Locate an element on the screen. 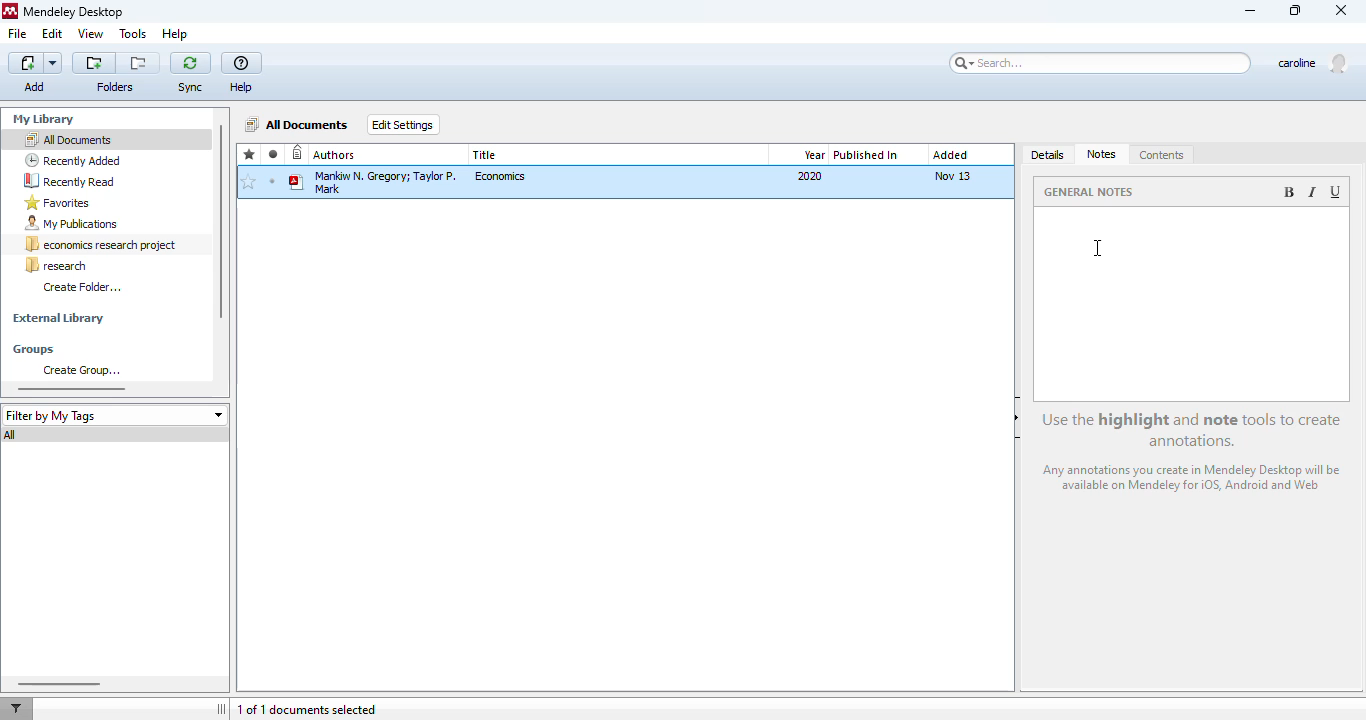 This screenshot has width=1366, height=720. toggle sidebar is located at coordinates (223, 709).